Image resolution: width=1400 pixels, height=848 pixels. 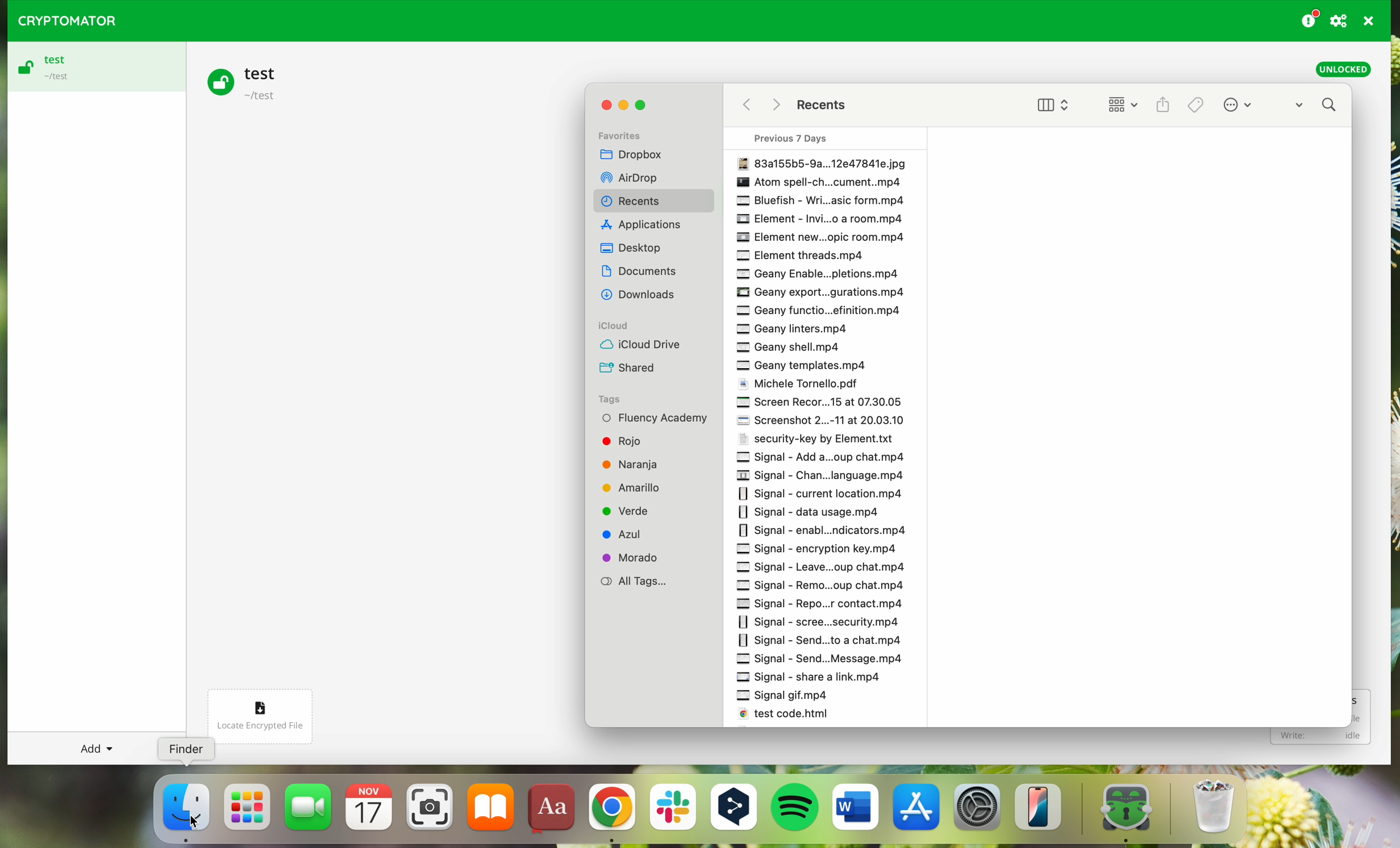 What do you see at coordinates (624, 439) in the screenshot?
I see `Rojo` at bounding box center [624, 439].